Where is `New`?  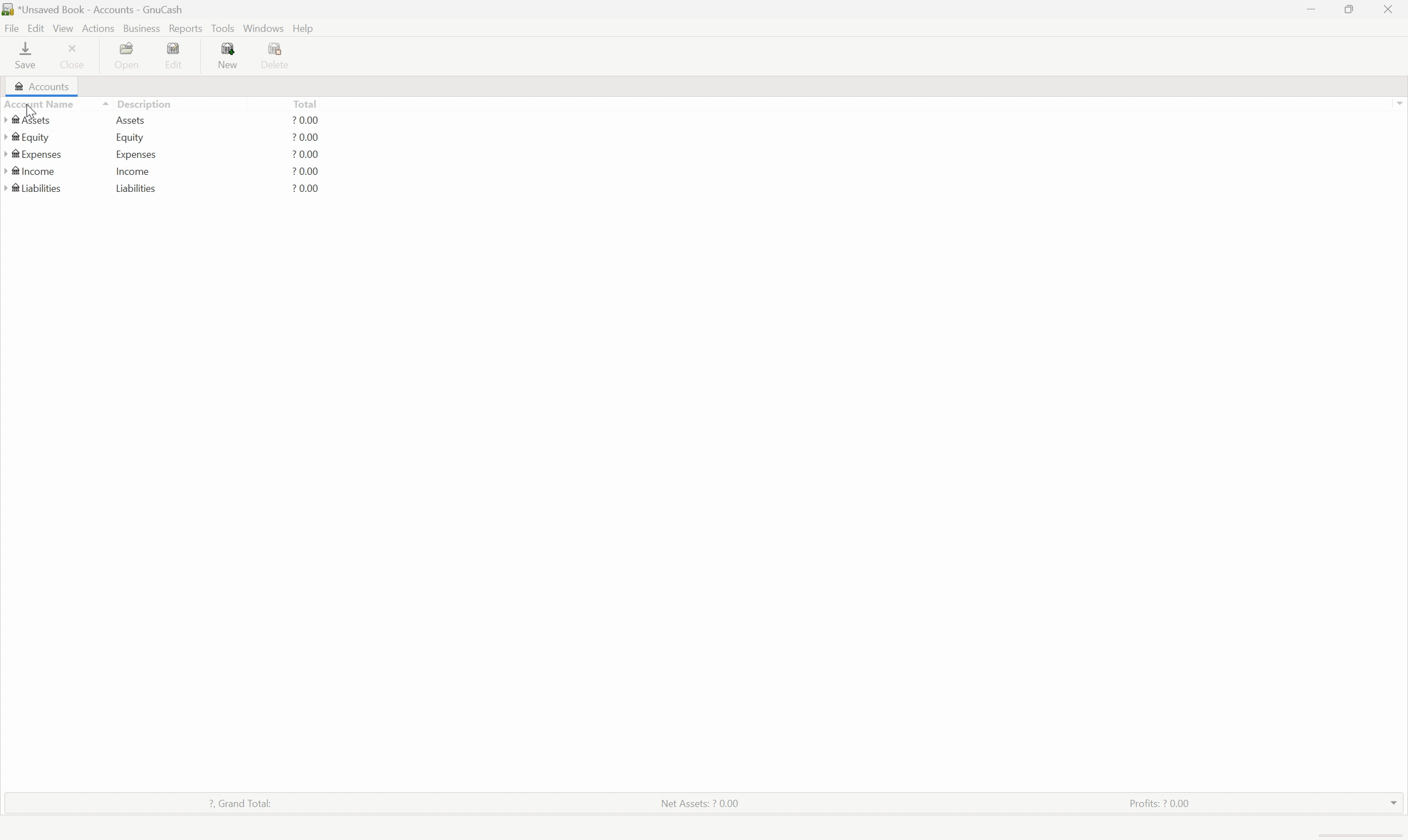
New is located at coordinates (230, 54).